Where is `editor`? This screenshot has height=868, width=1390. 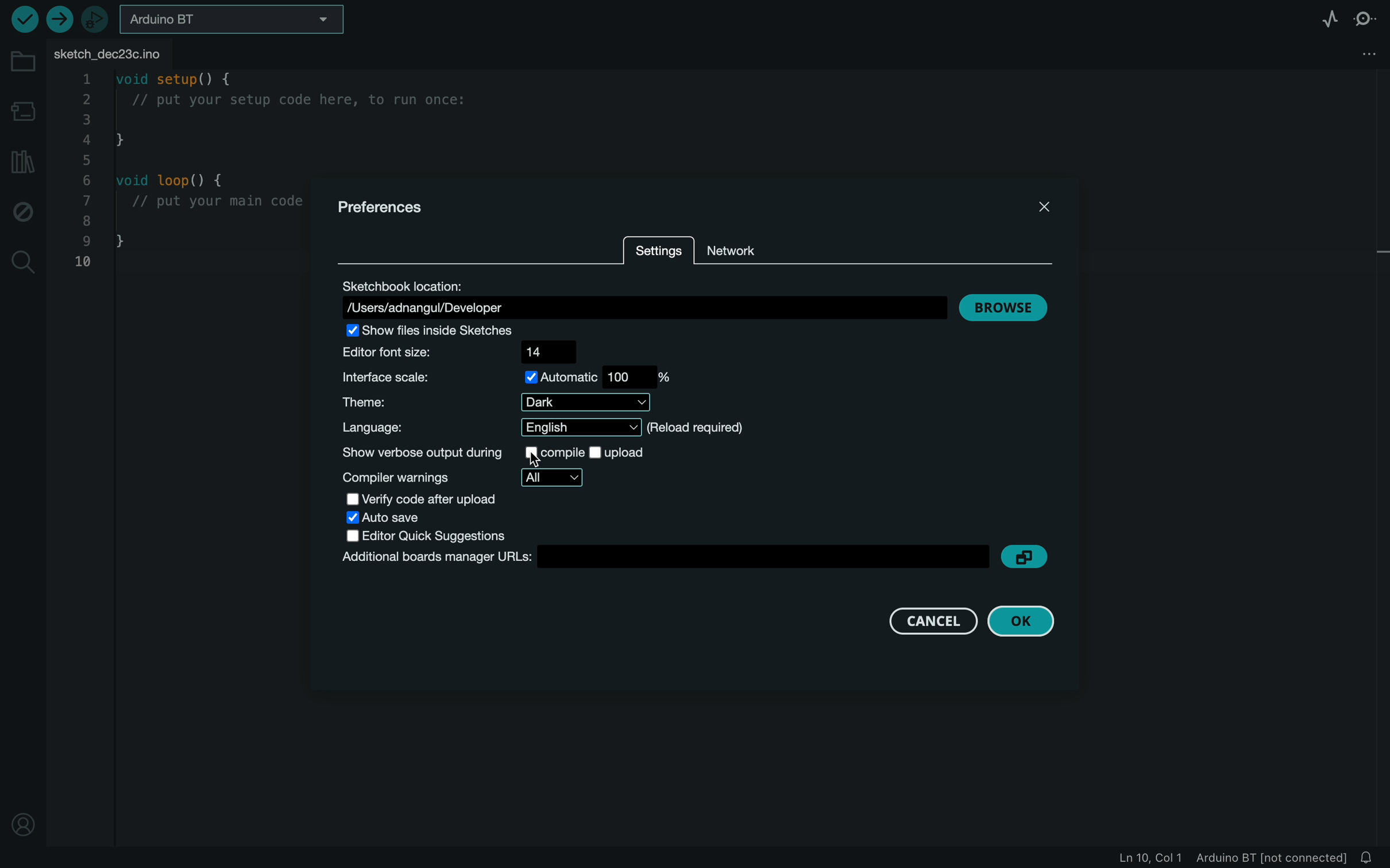 editor is located at coordinates (443, 537).